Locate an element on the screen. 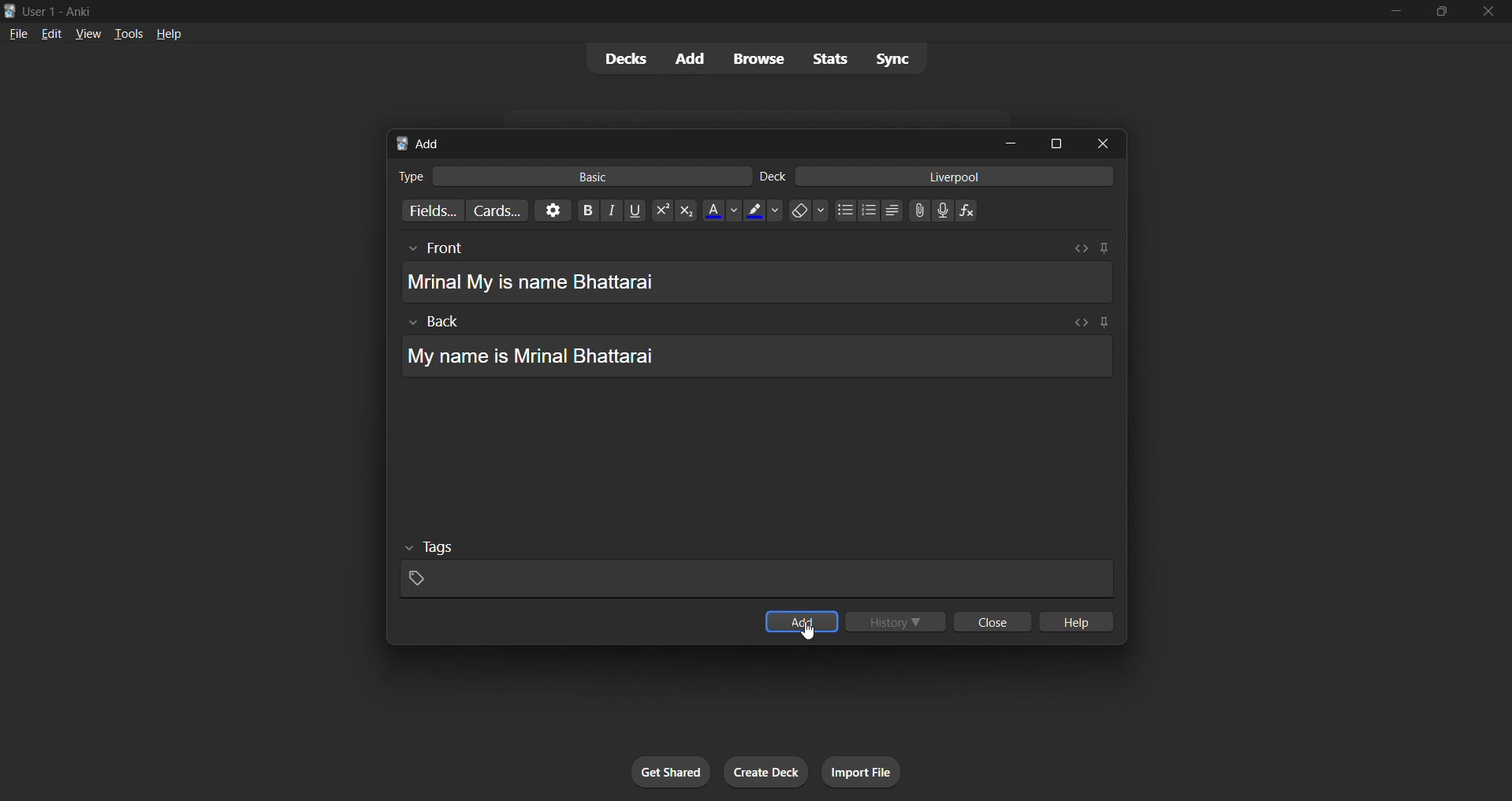 This screenshot has height=801, width=1512. liverpool deck input filed is located at coordinates (937, 176).